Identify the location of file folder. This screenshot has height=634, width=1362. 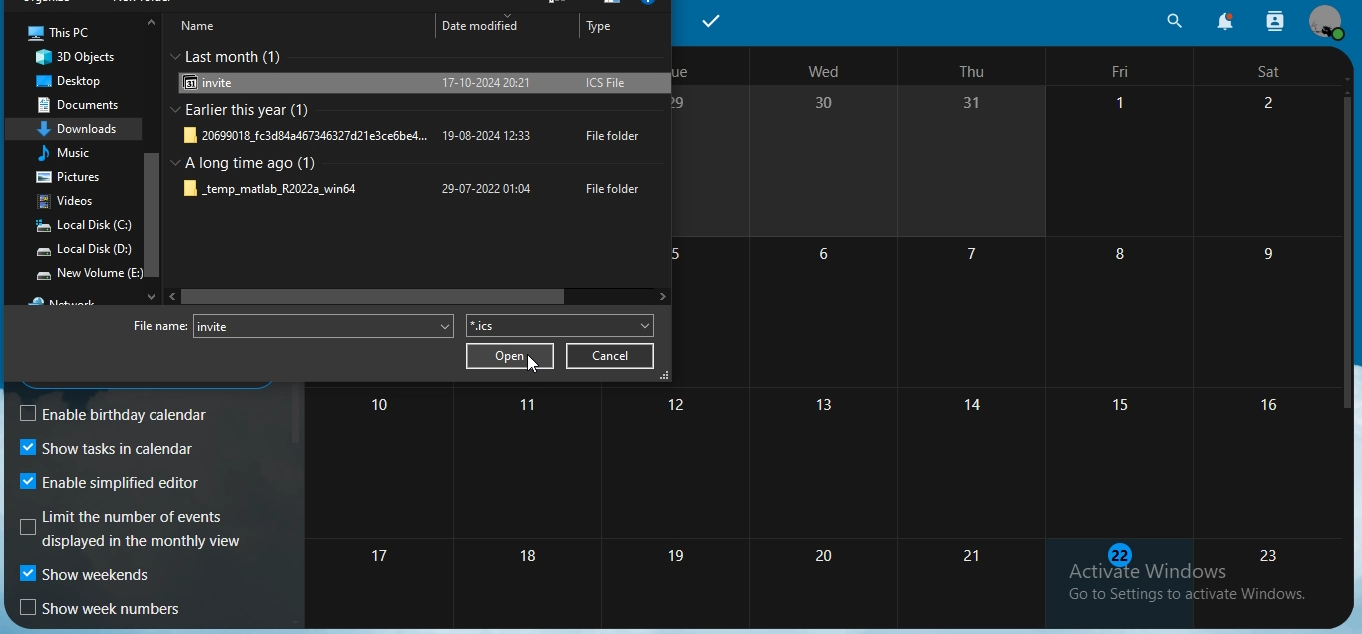
(413, 189).